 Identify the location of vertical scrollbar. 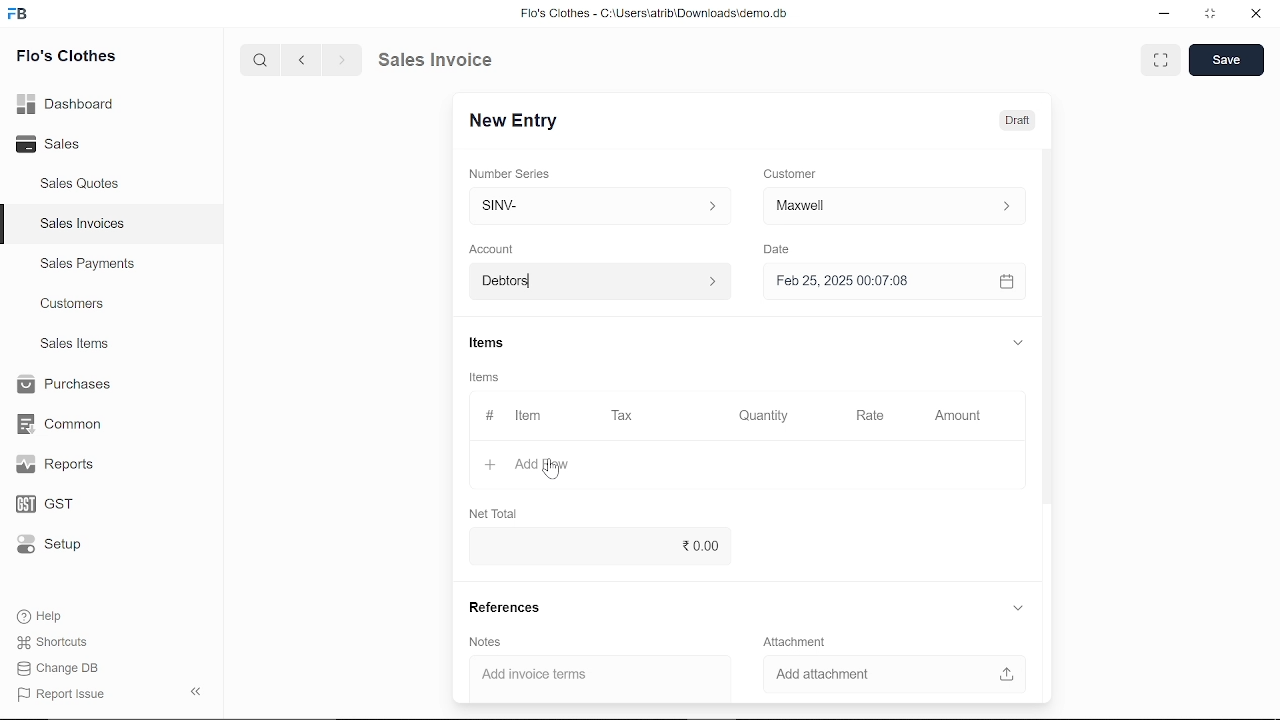
(1050, 325).